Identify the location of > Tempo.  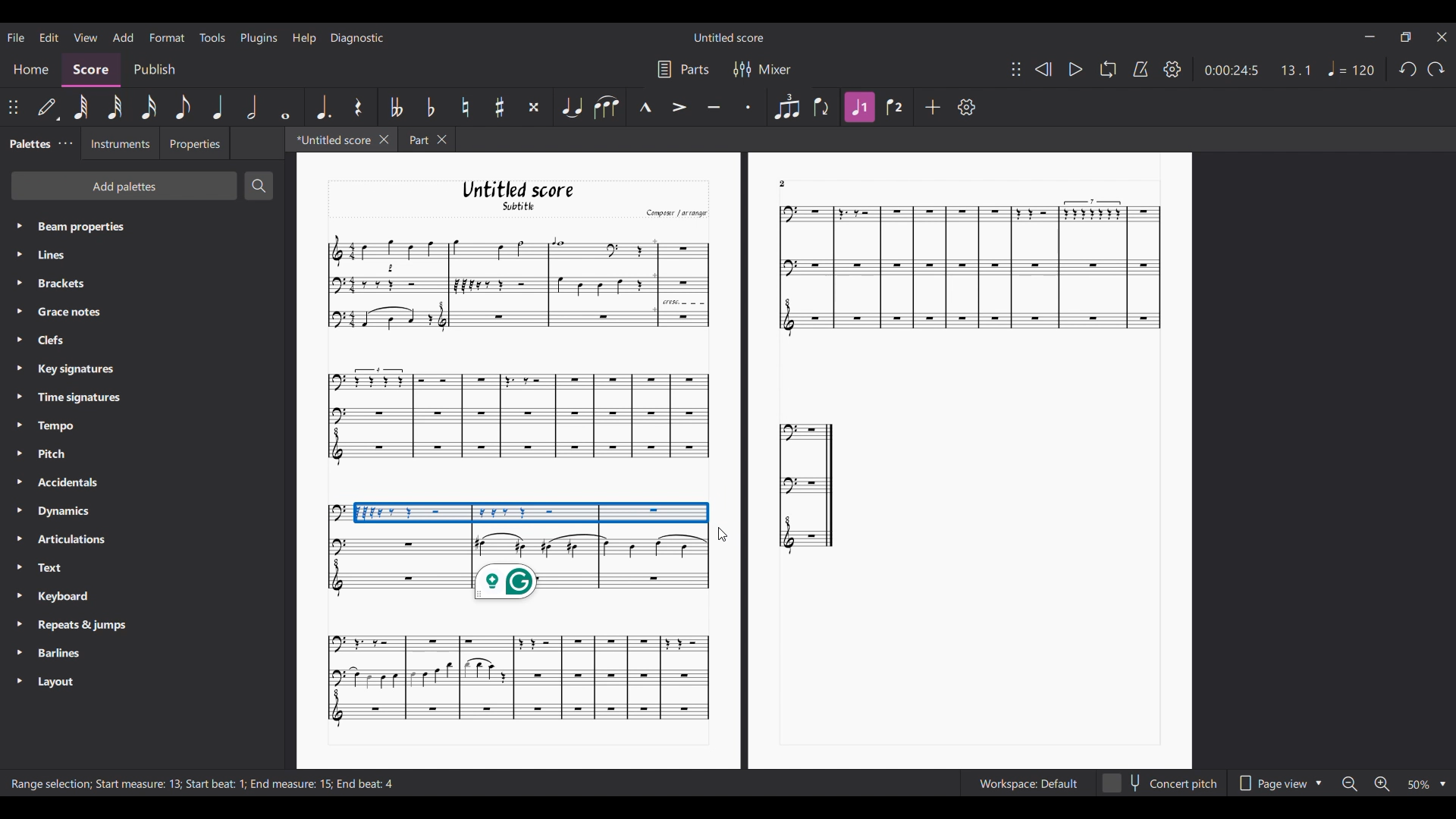
(50, 426).